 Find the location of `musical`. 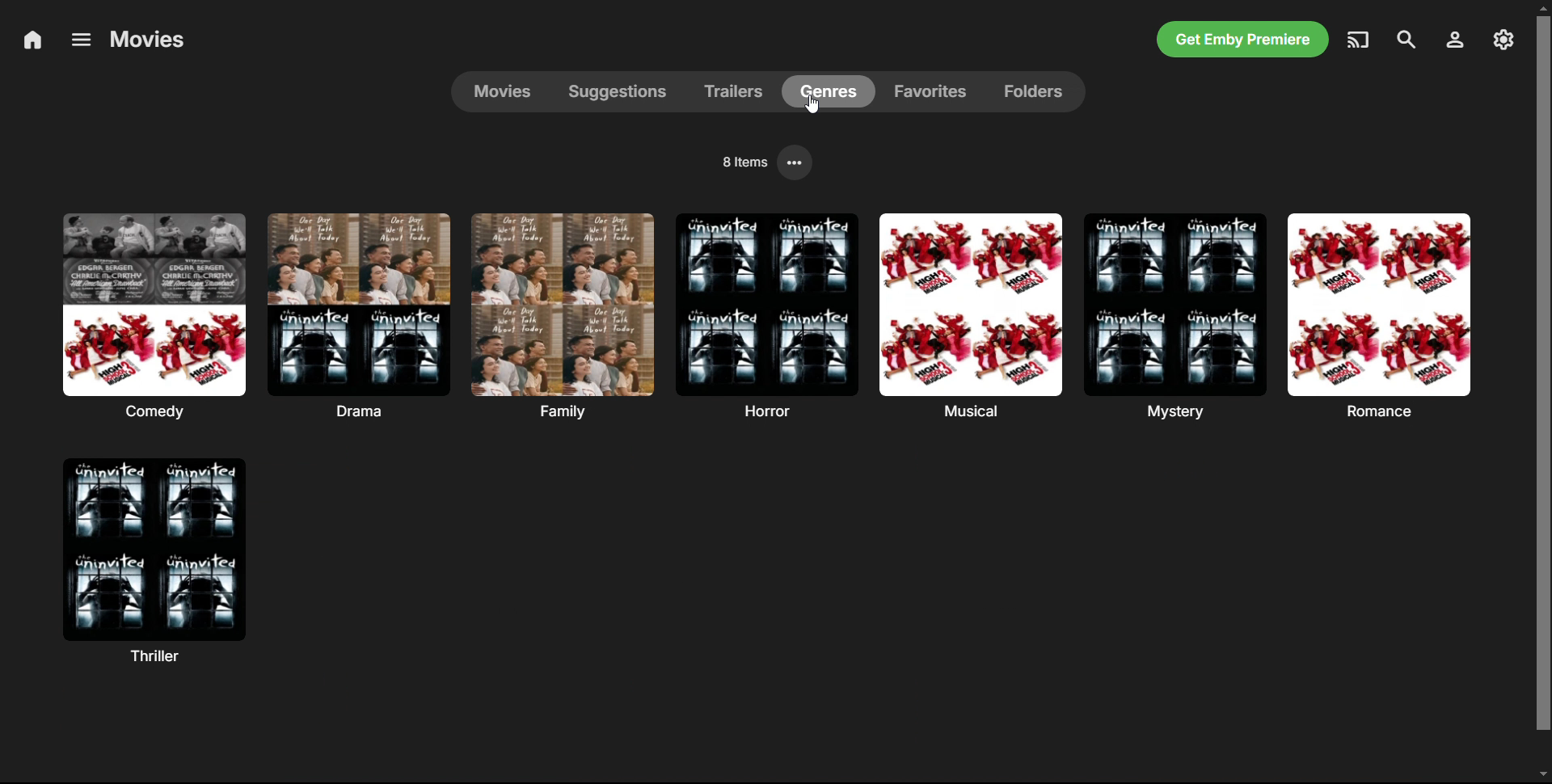

musical is located at coordinates (968, 316).